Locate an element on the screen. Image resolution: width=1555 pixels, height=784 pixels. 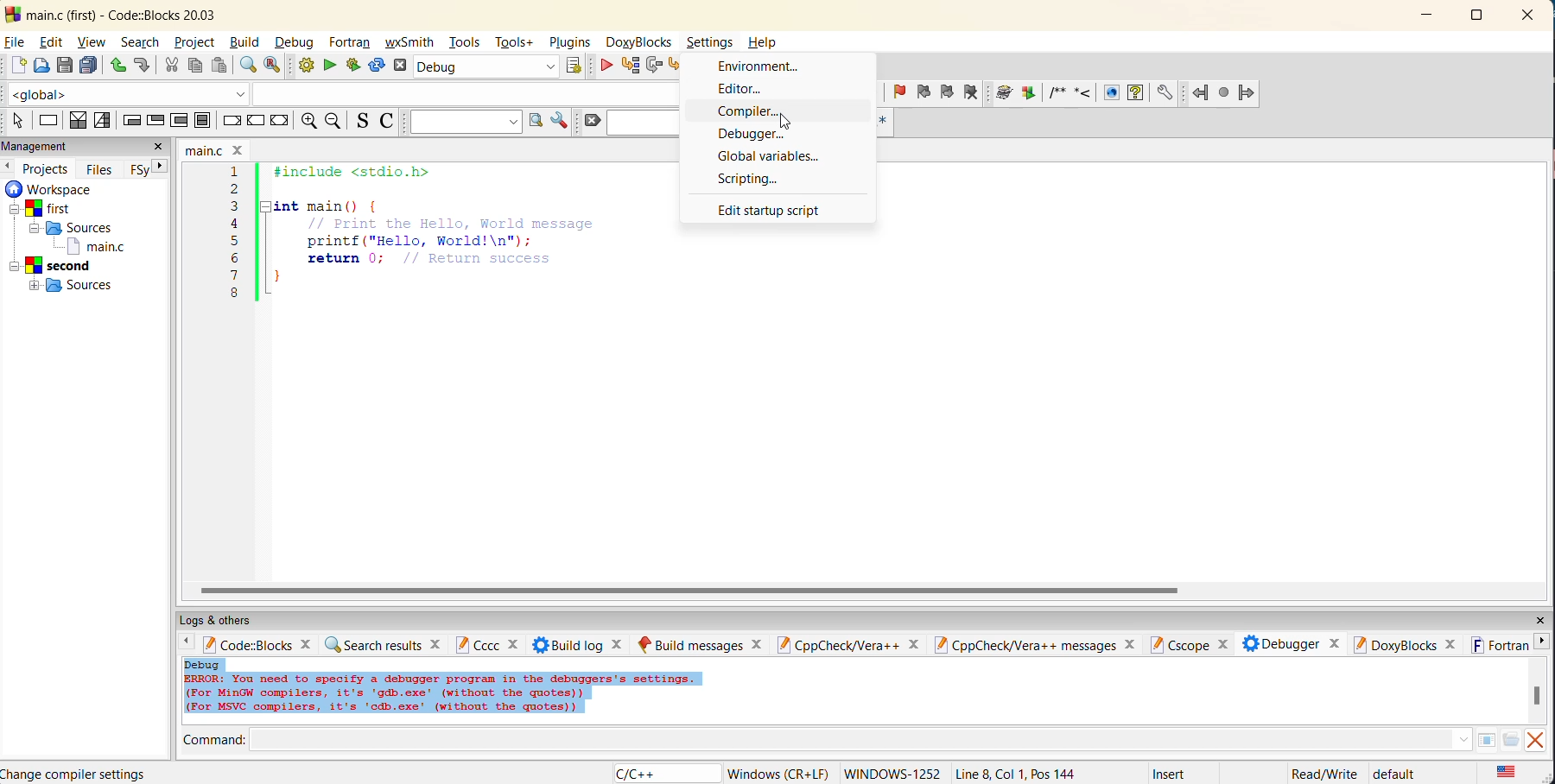
code completion compiler is located at coordinates (340, 97).